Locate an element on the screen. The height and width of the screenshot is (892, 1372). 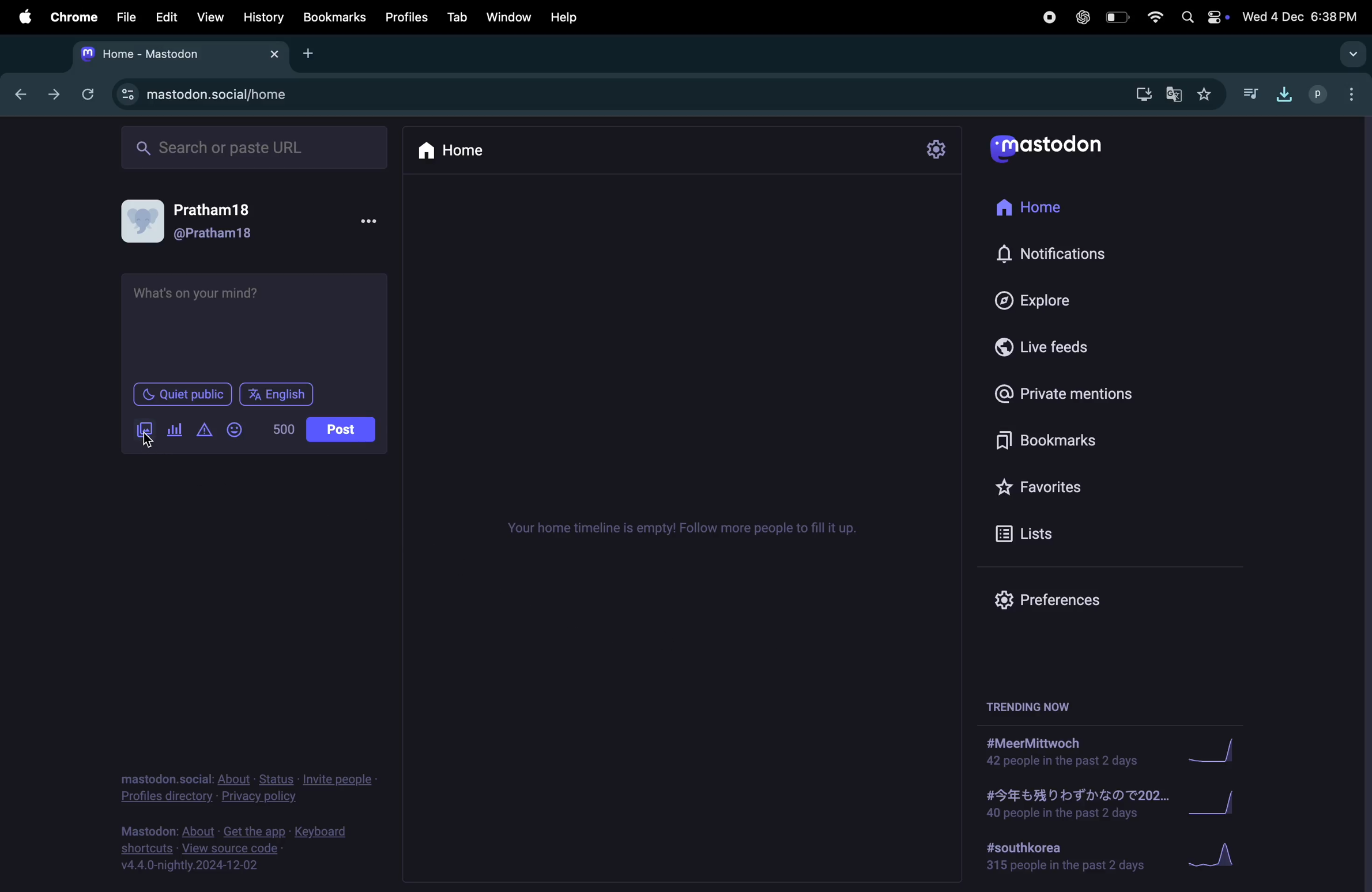
battery is located at coordinates (1118, 17).